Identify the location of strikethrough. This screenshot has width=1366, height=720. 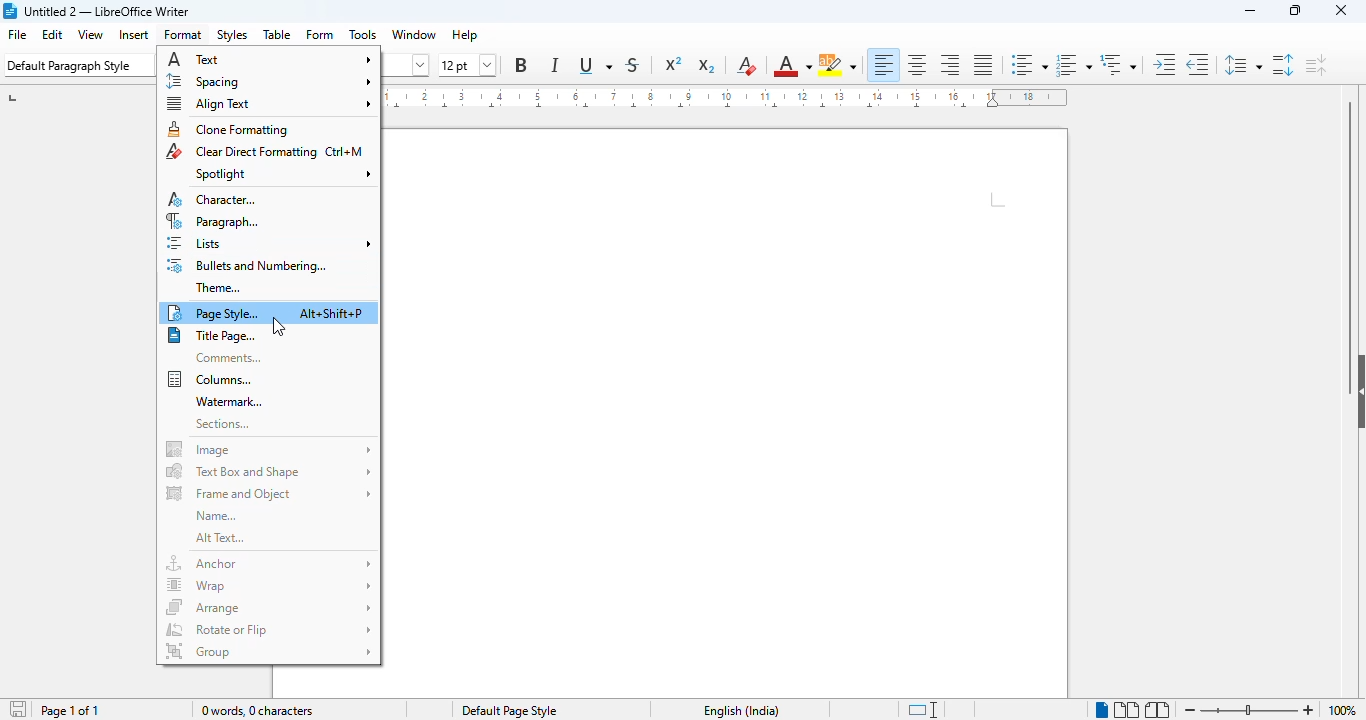
(632, 66).